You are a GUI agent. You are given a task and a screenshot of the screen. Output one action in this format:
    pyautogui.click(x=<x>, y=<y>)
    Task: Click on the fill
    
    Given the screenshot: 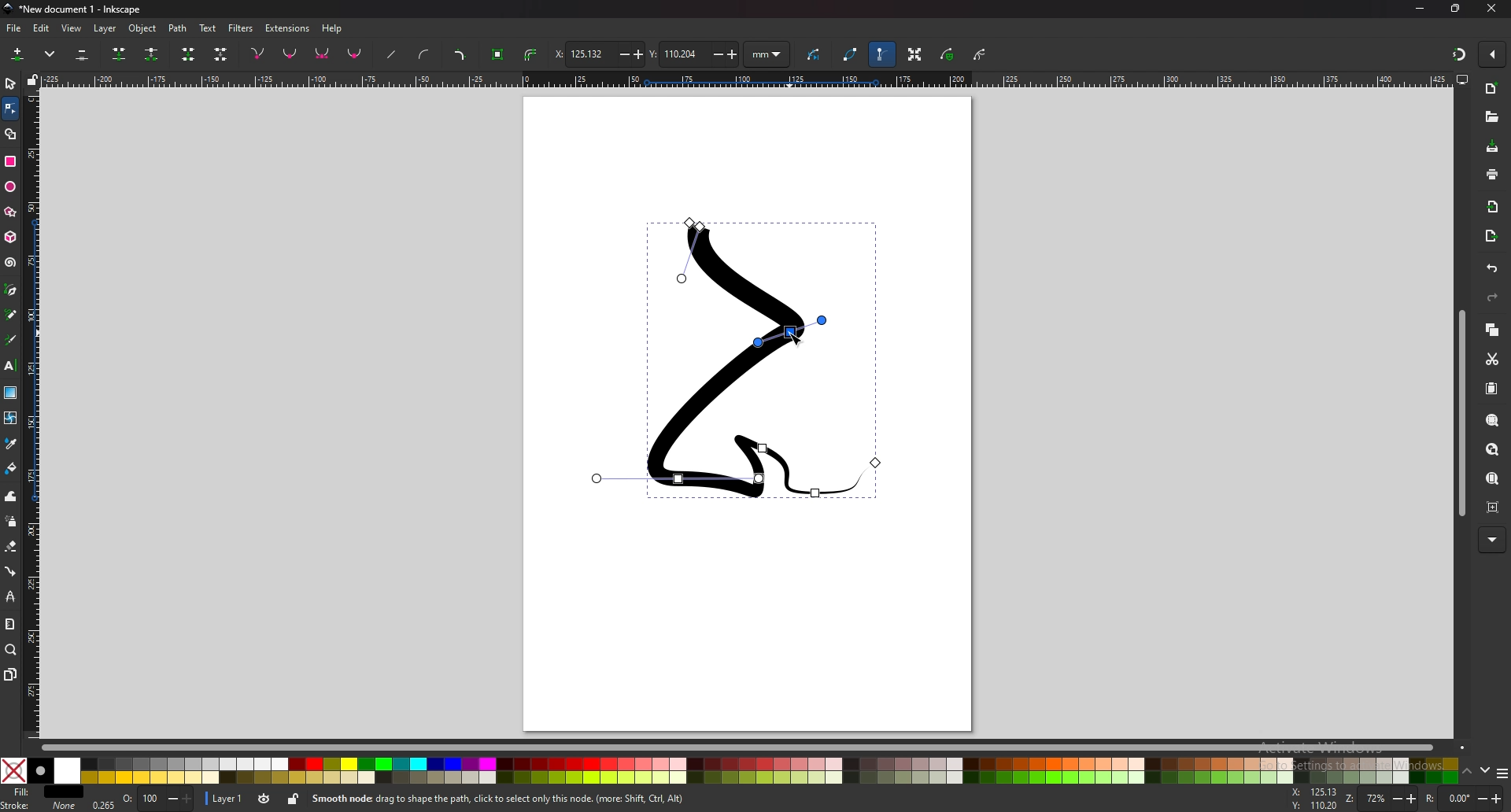 What is the action you would take?
    pyautogui.click(x=44, y=792)
    